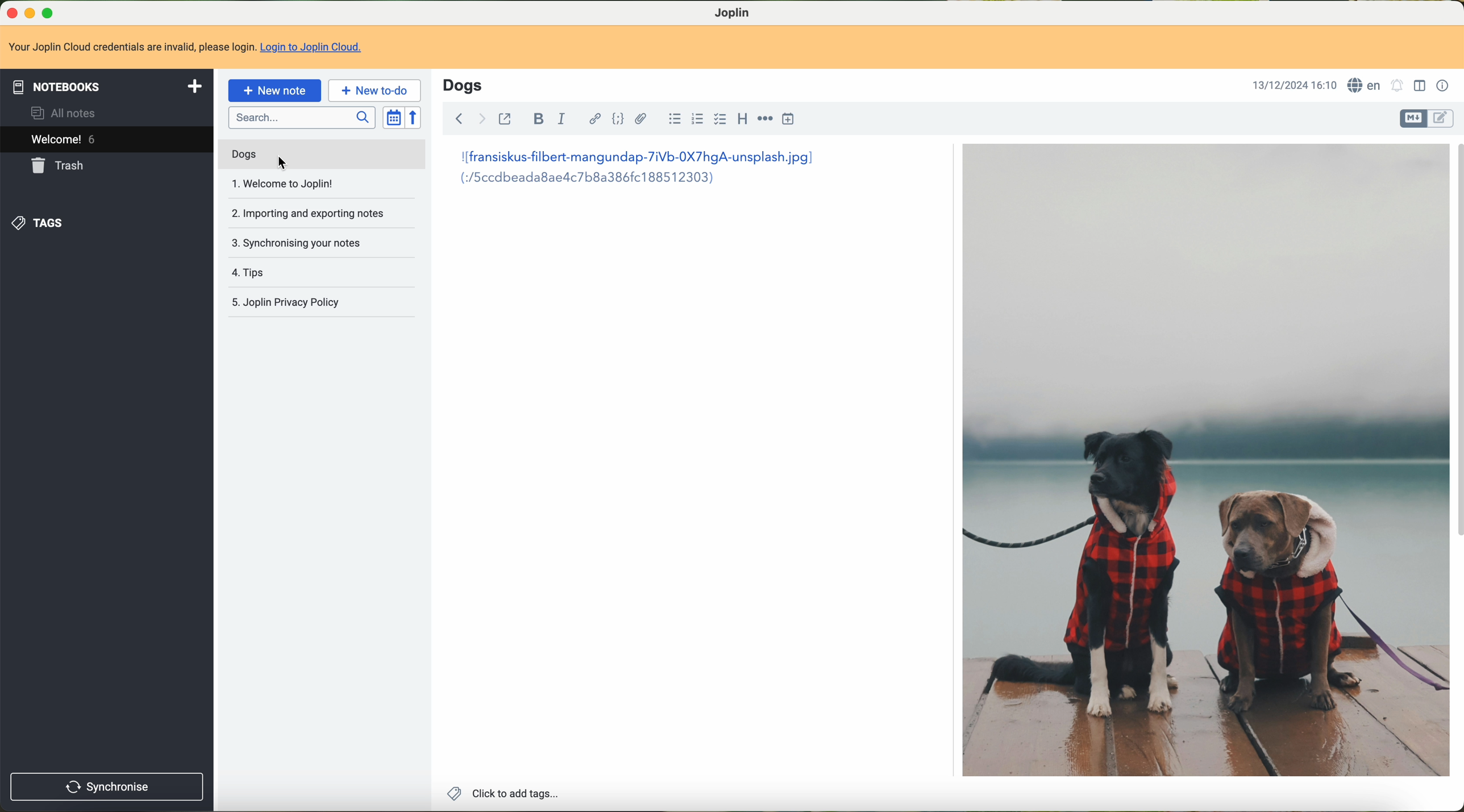 This screenshot has height=812, width=1464. What do you see at coordinates (42, 221) in the screenshot?
I see `tags` at bounding box center [42, 221].